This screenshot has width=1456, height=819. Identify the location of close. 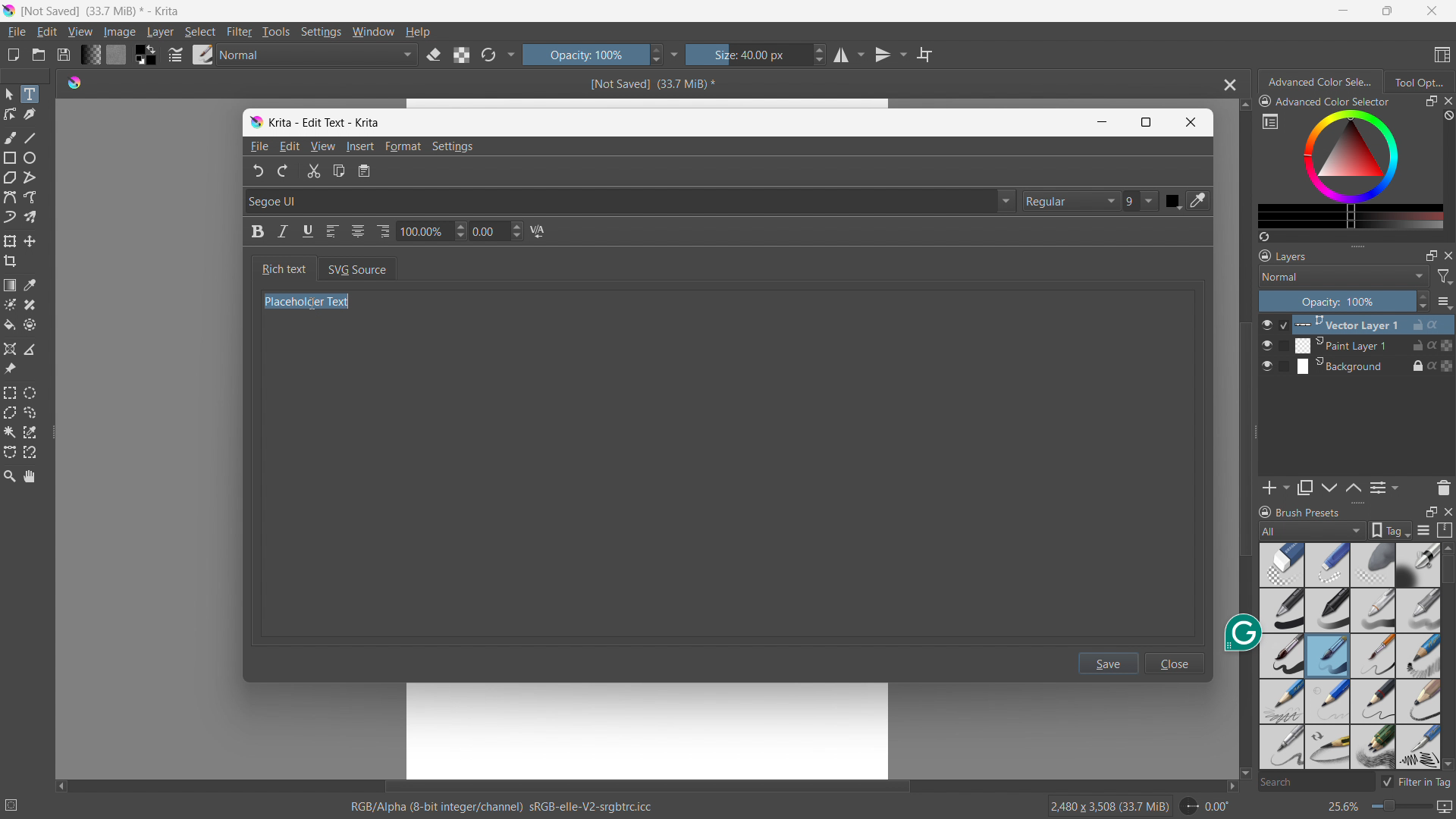
(1447, 255).